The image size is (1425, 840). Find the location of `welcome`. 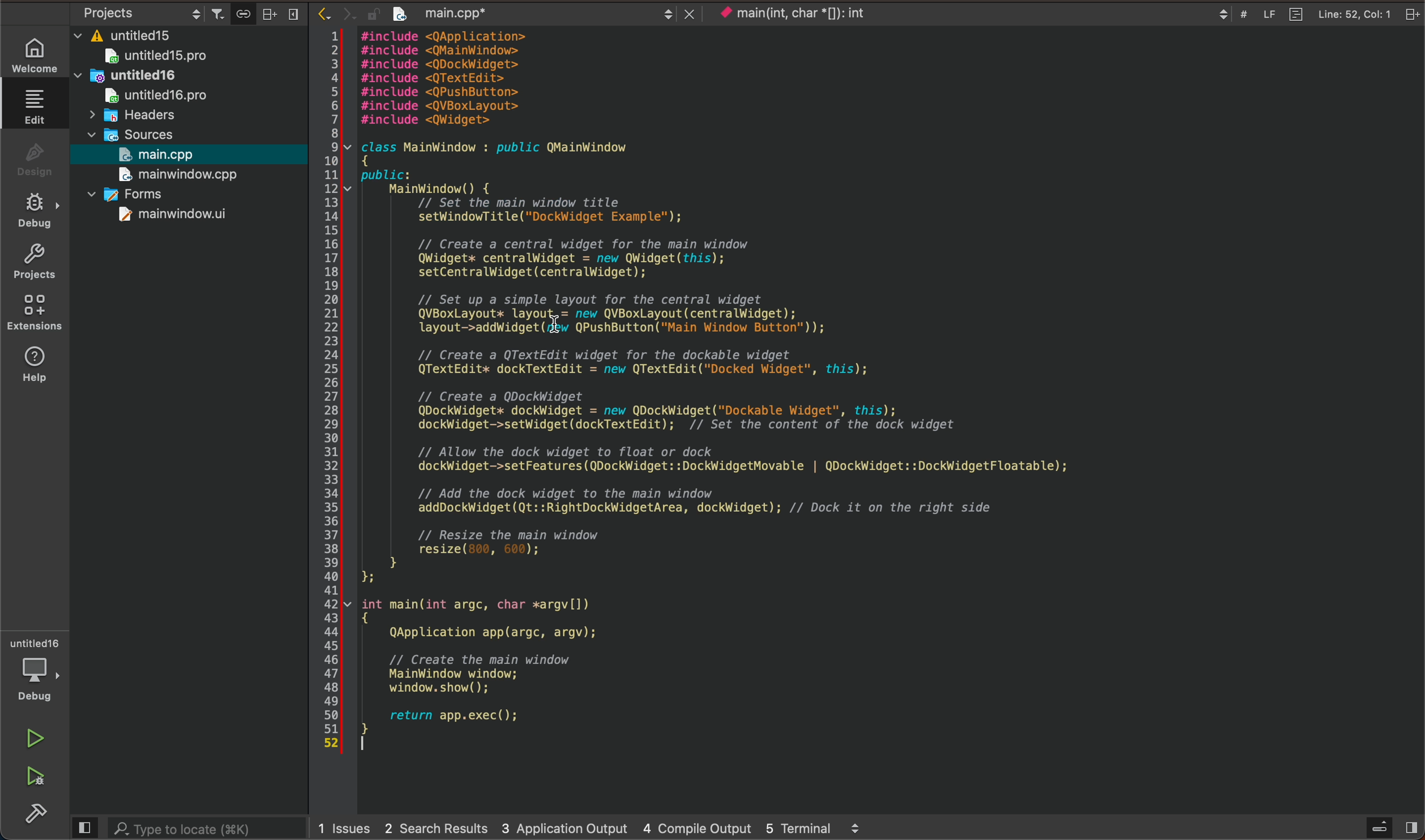

welcome is located at coordinates (35, 49).